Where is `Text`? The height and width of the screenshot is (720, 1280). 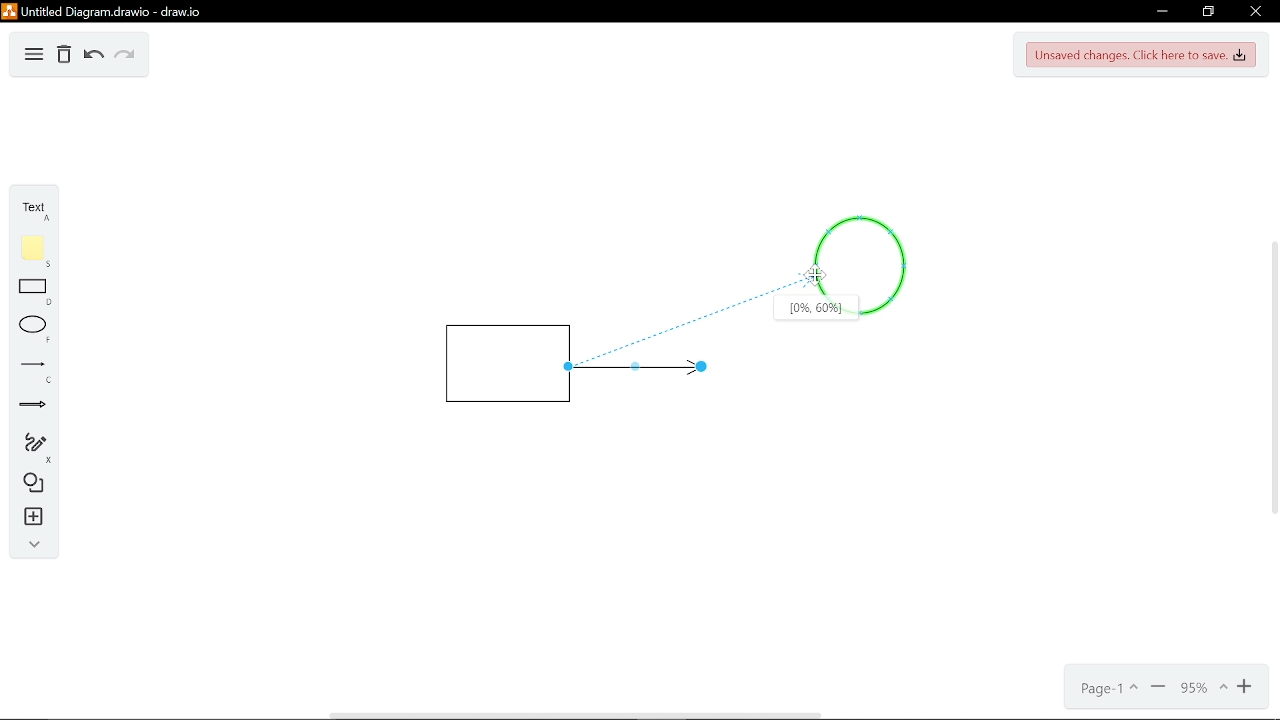
Text is located at coordinates (35, 210).